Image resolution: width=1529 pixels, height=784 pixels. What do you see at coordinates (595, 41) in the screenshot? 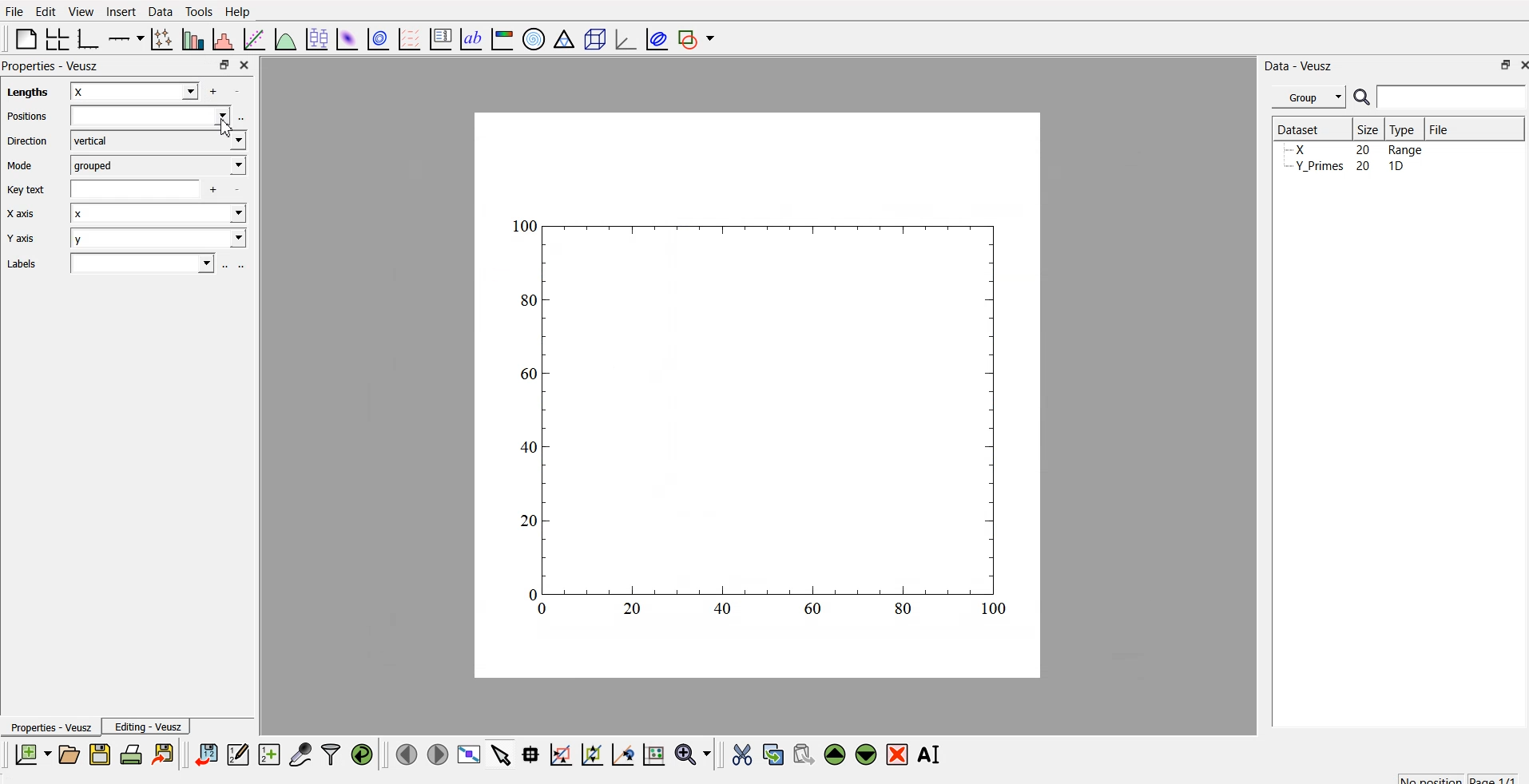
I see `3D scene` at bounding box center [595, 41].